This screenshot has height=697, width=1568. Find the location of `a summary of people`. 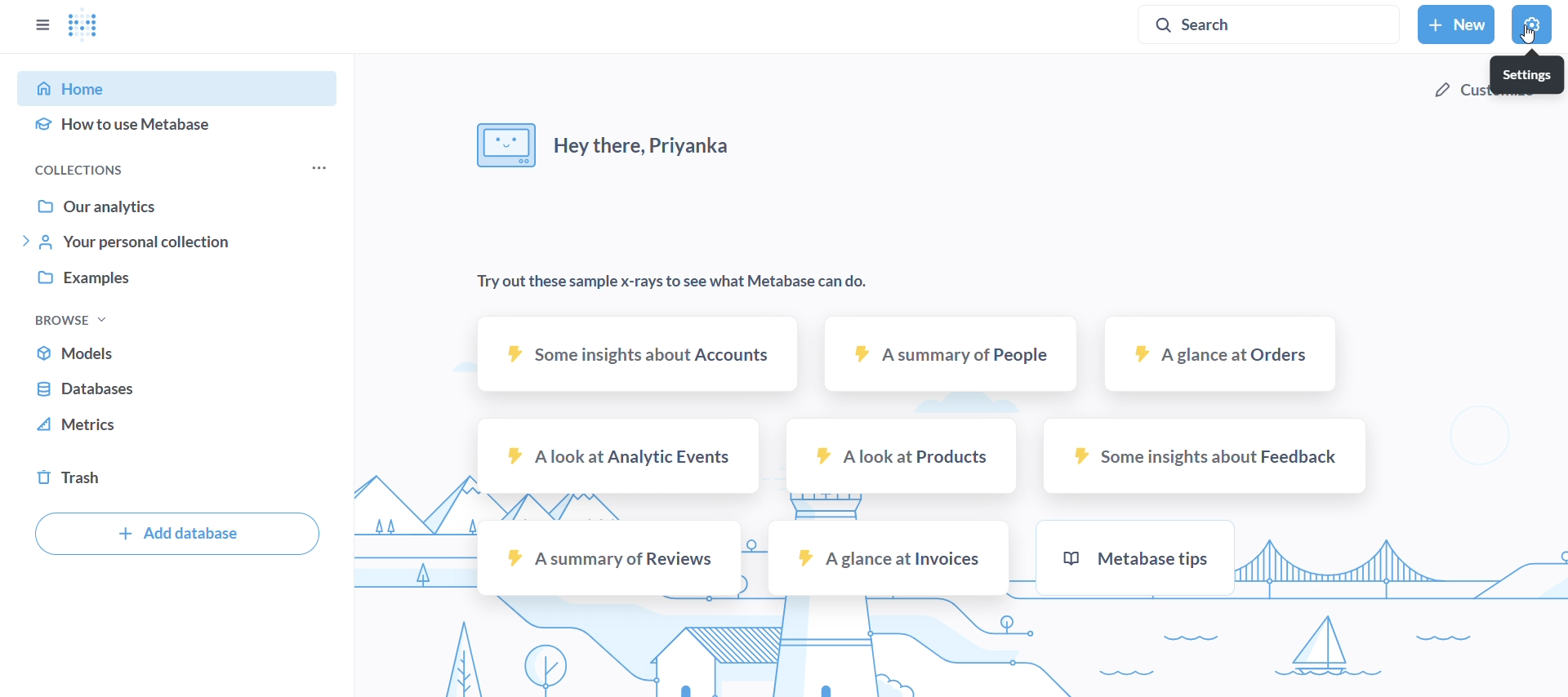

a summary of people is located at coordinates (953, 357).